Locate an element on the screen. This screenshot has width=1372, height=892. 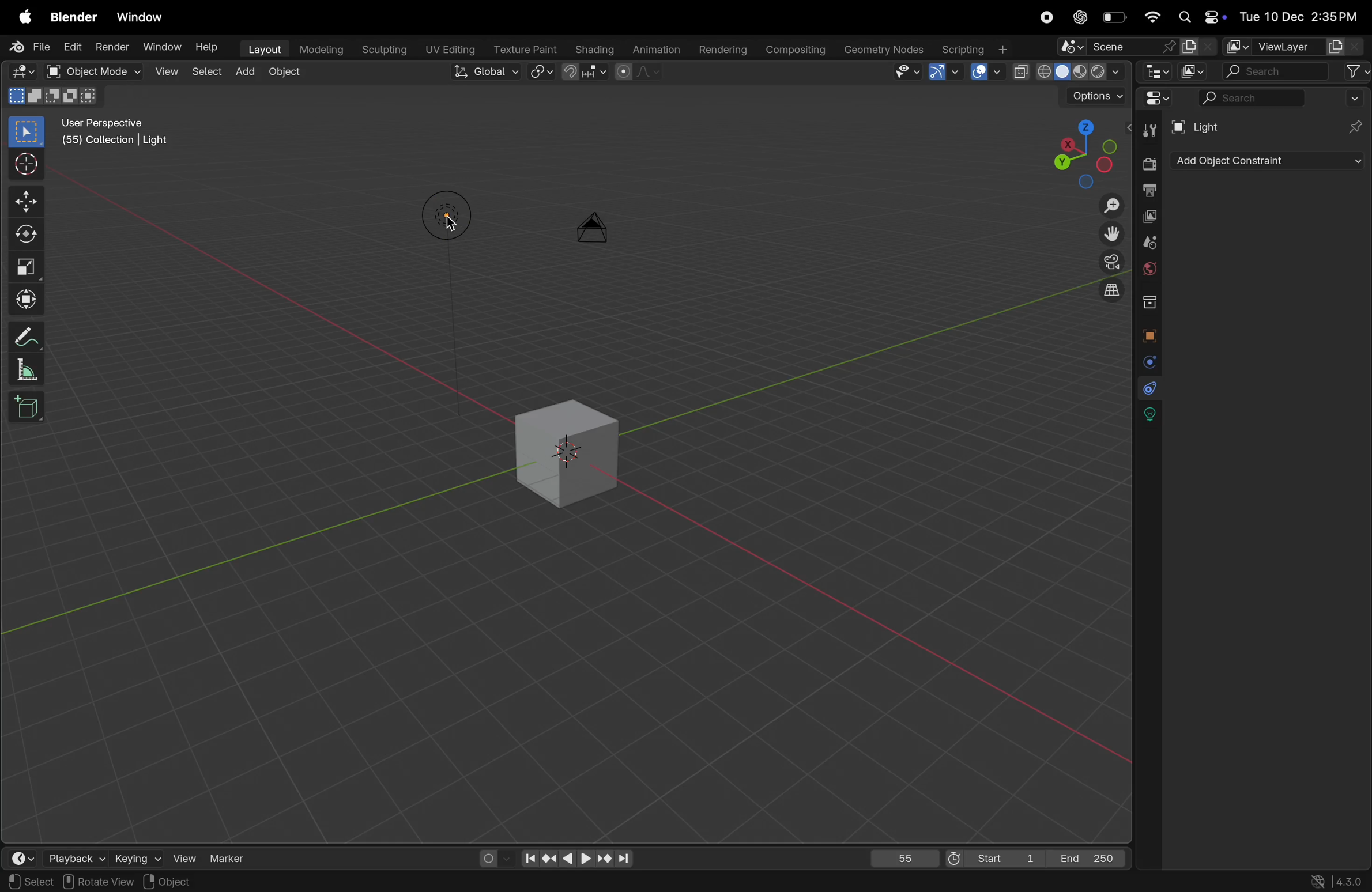
auto keying is located at coordinates (492, 857).